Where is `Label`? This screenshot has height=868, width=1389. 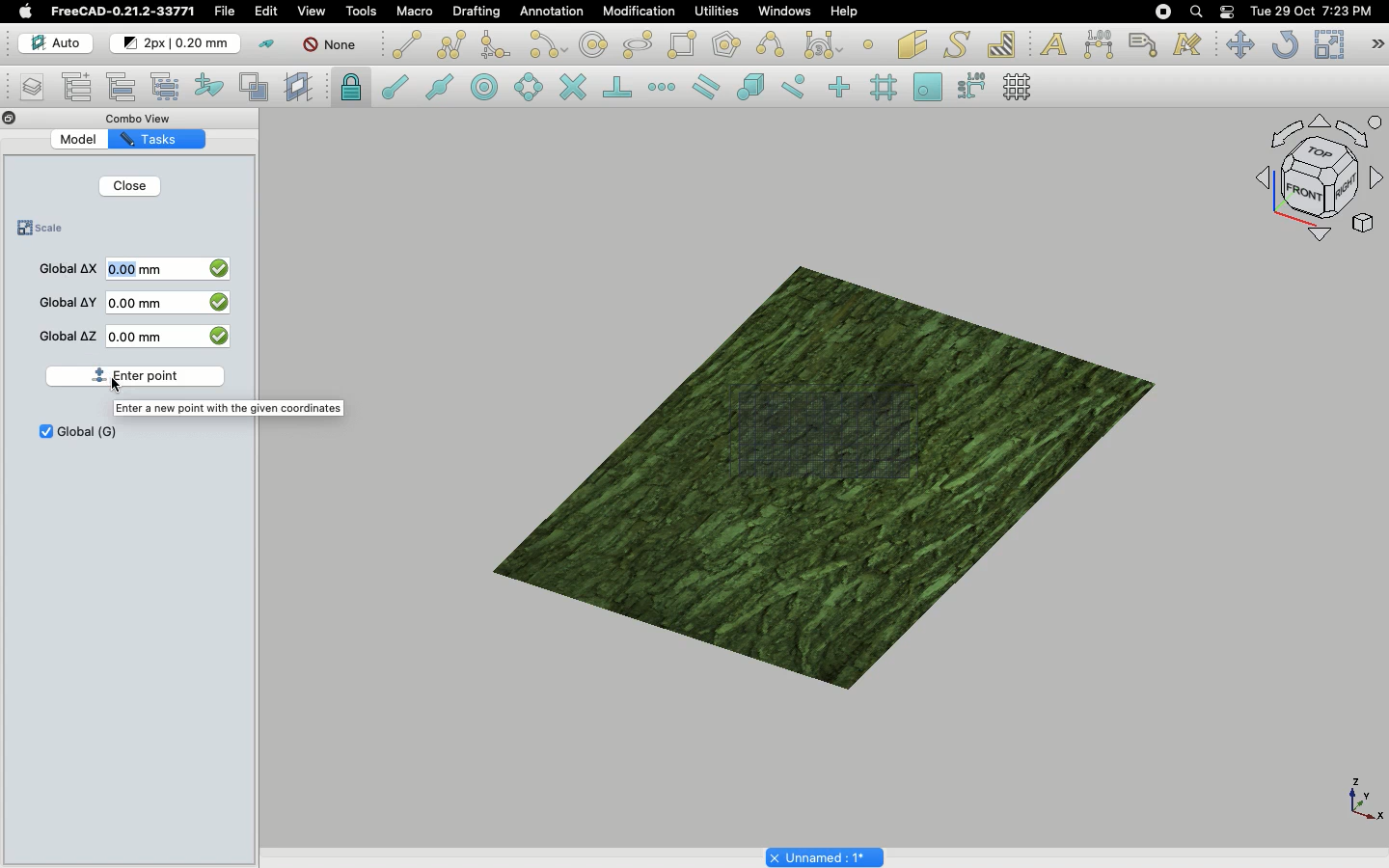 Label is located at coordinates (1144, 42).